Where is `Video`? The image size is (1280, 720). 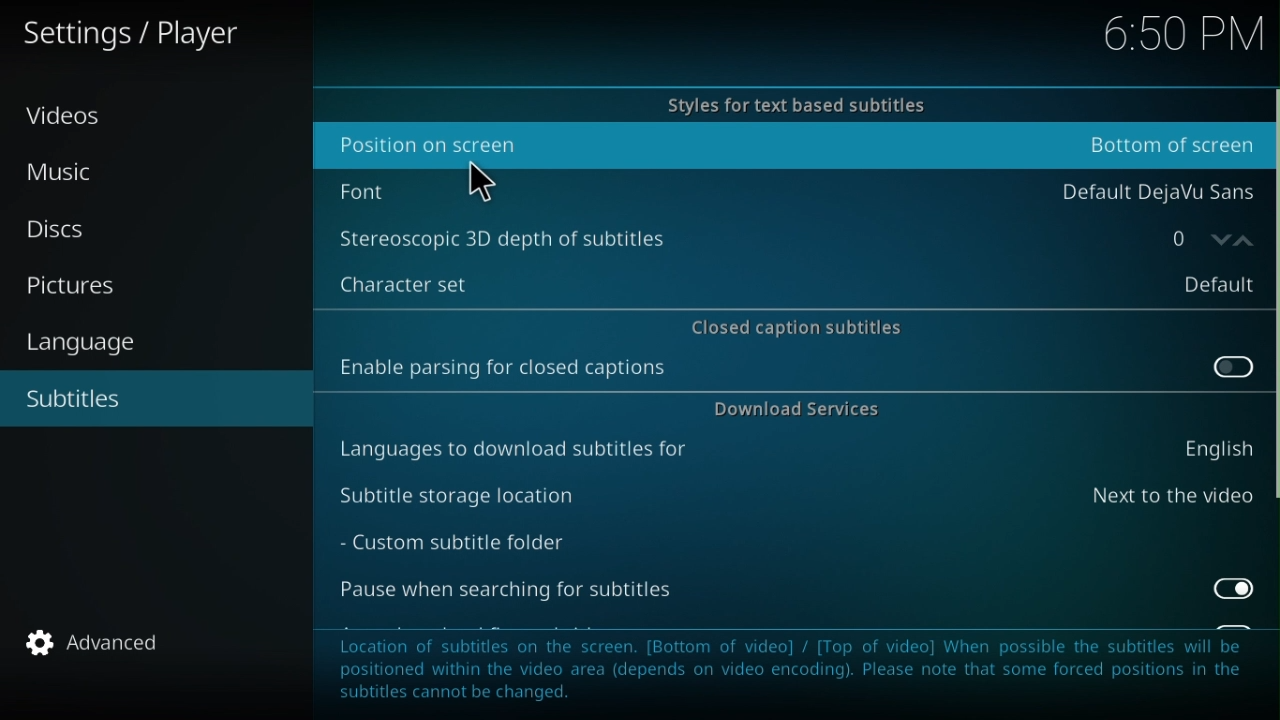
Video is located at coordinates (67, 122).